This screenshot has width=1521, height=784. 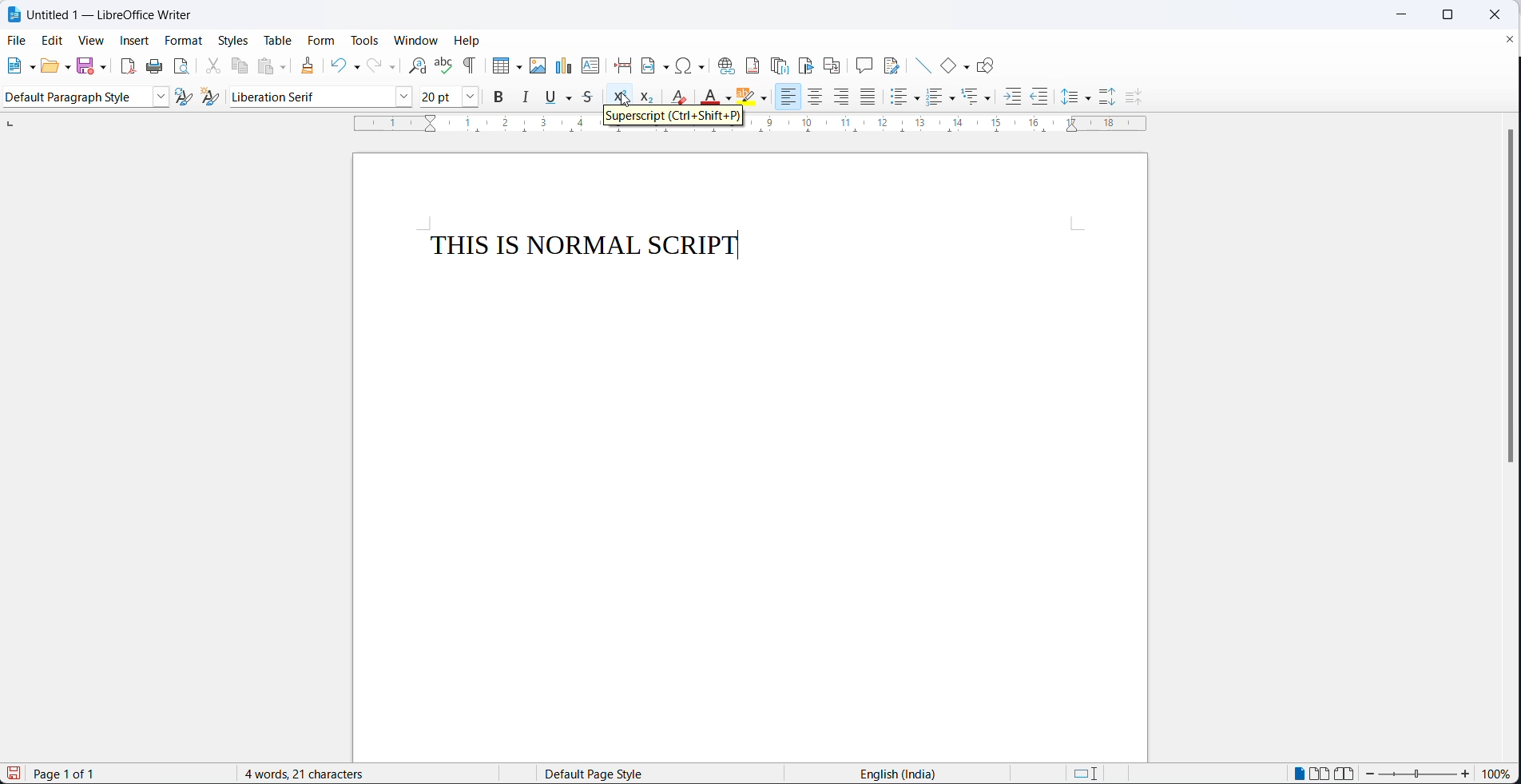 I want to click on insert table, so click(x=498, y=65).